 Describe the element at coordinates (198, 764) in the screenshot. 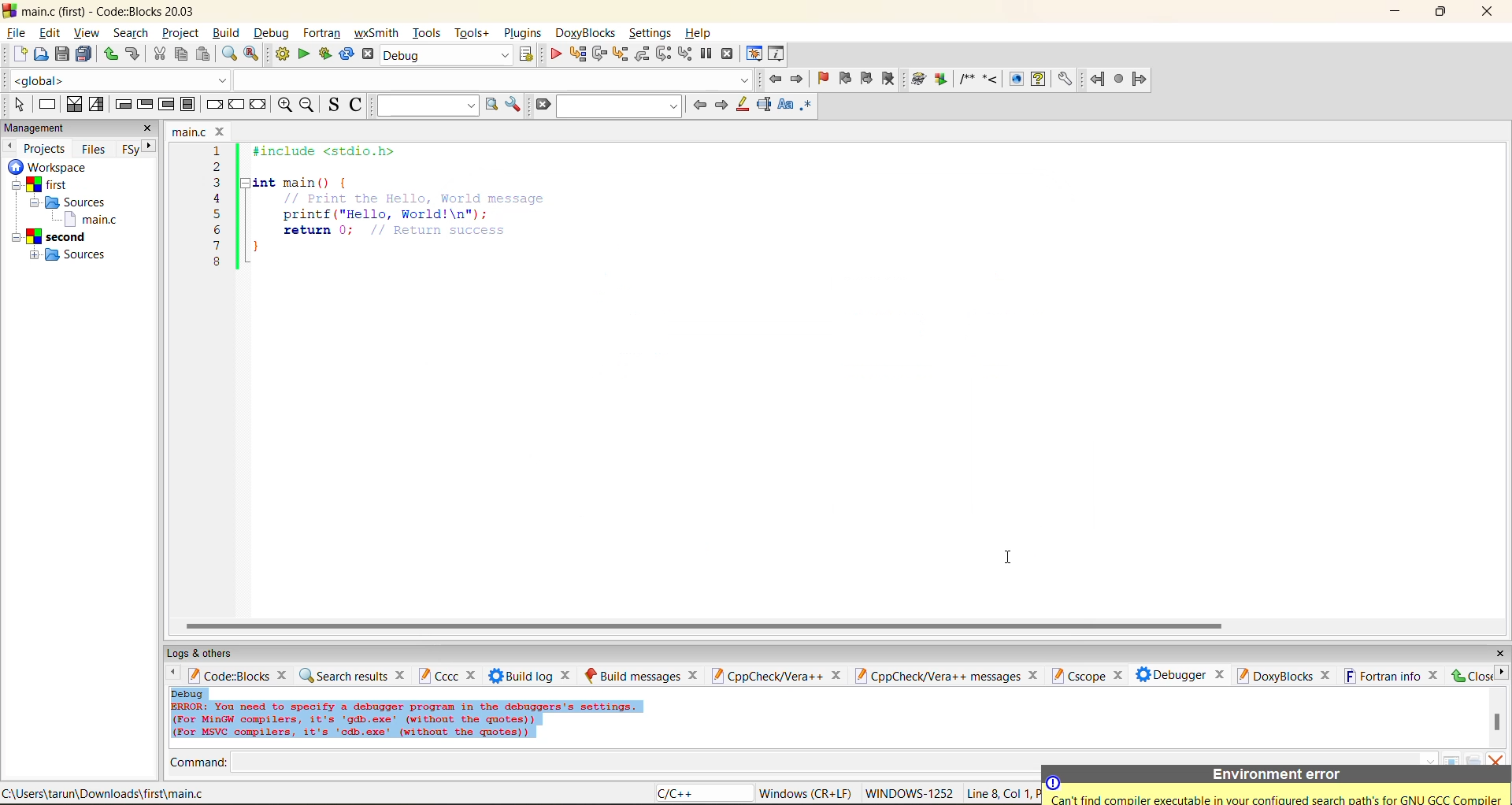

I see `command` at that location.